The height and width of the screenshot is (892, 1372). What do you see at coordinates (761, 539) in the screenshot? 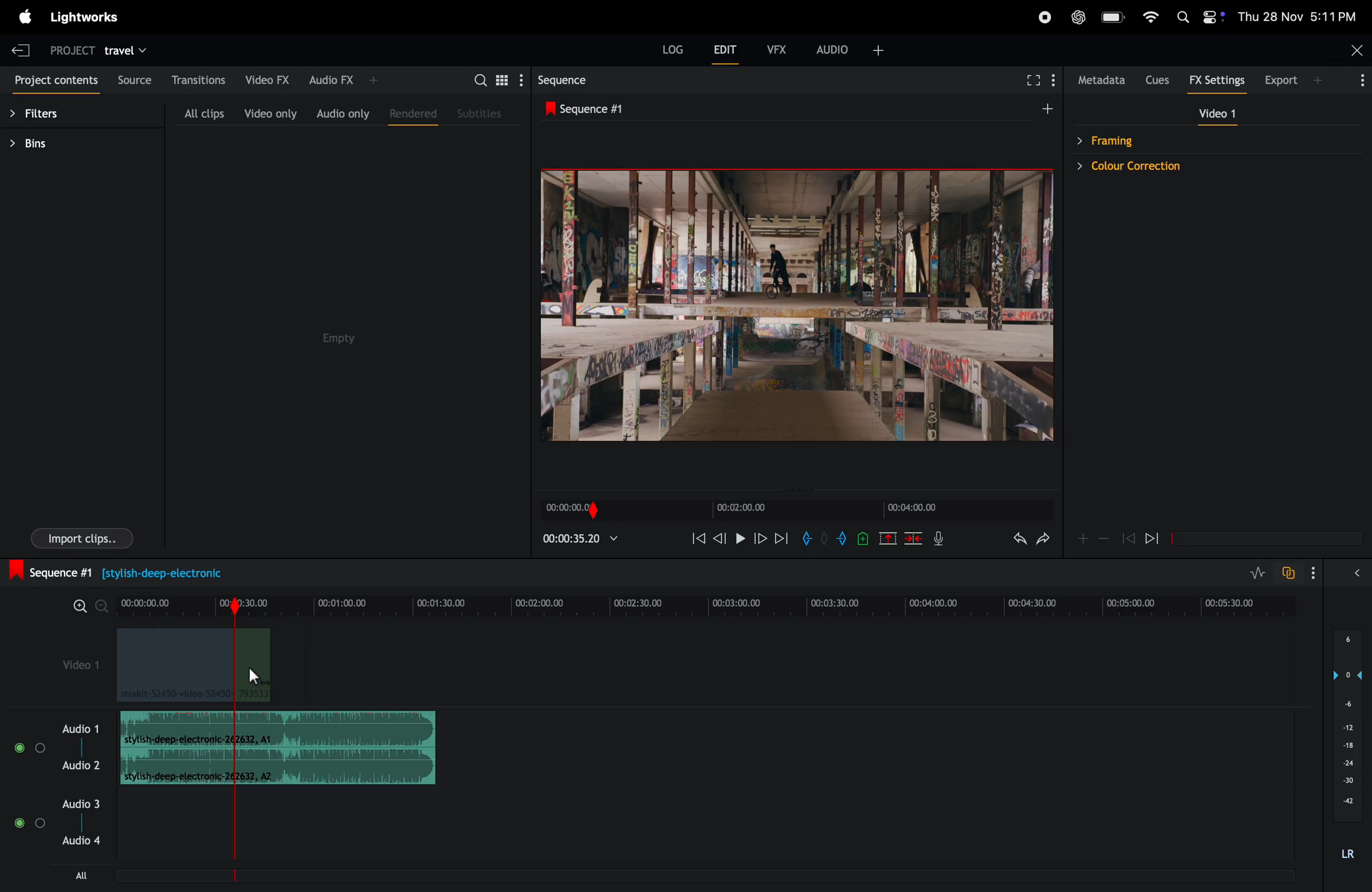
I see `next frame` at bounding box center [761, 539].